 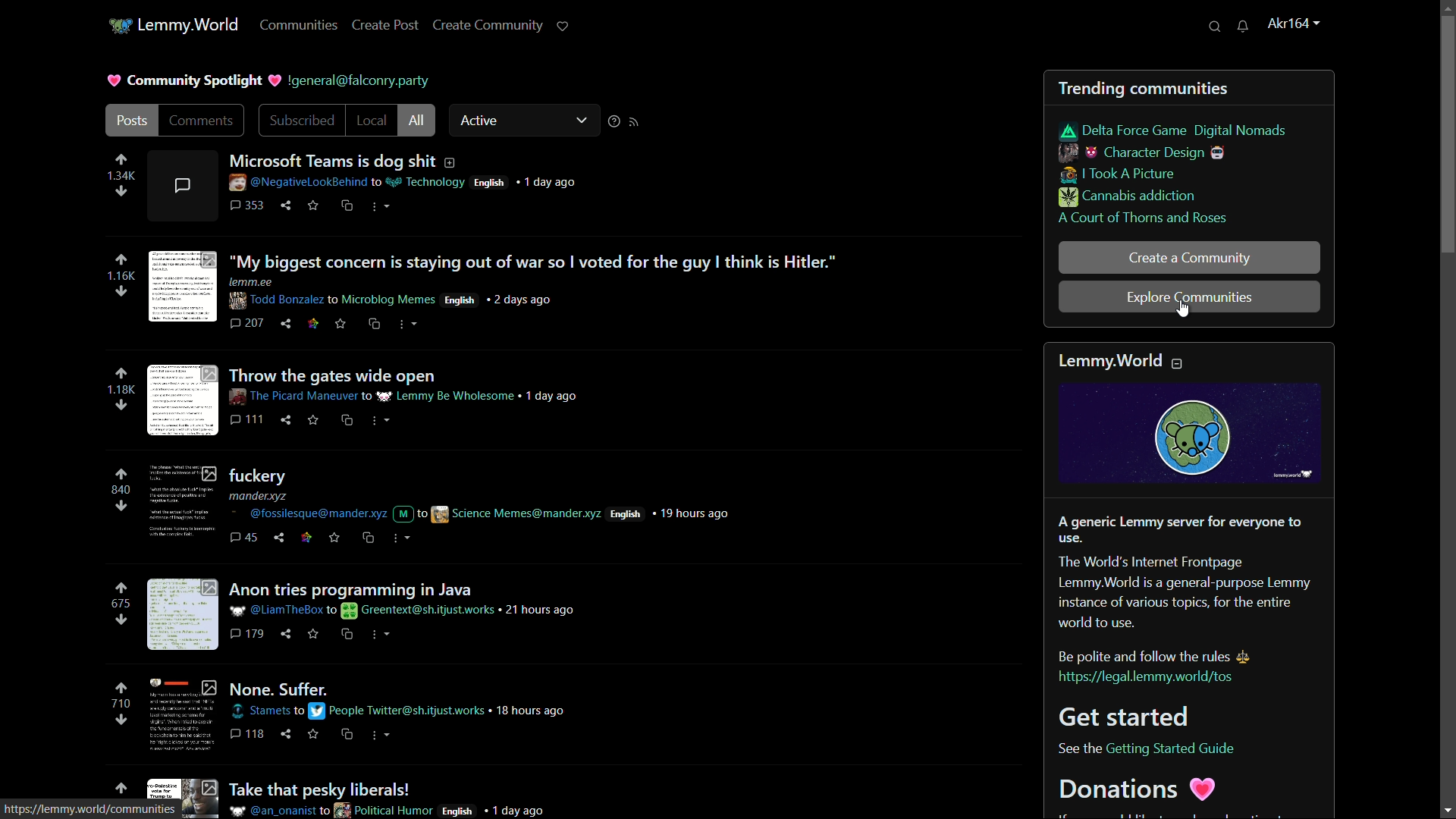 What do you see at coordinates (1193, 585) in the screenshot?
I see `about lemmy.world` at bounding box center [1193, 585].